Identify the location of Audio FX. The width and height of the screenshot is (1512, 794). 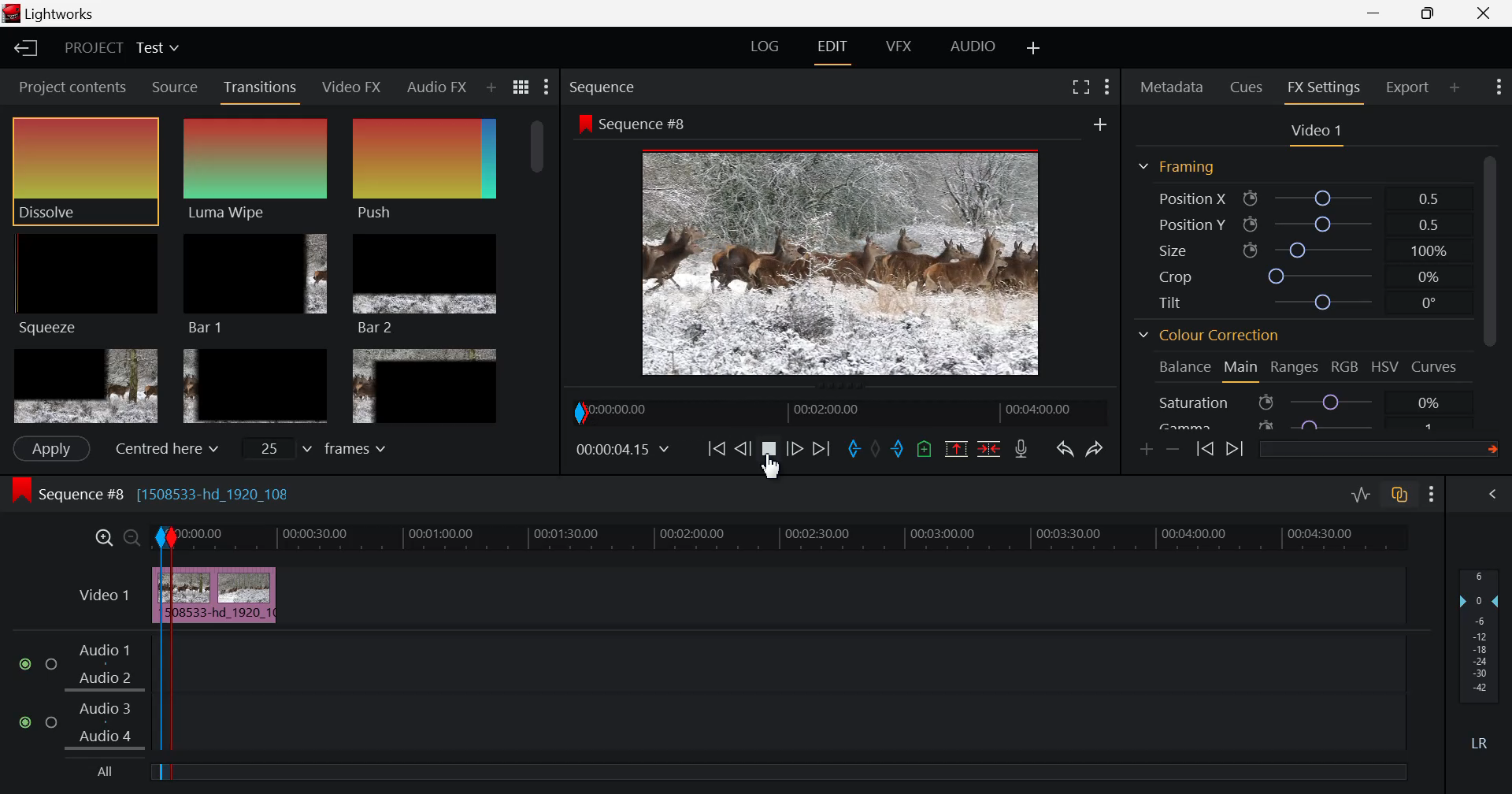
(435, 88).